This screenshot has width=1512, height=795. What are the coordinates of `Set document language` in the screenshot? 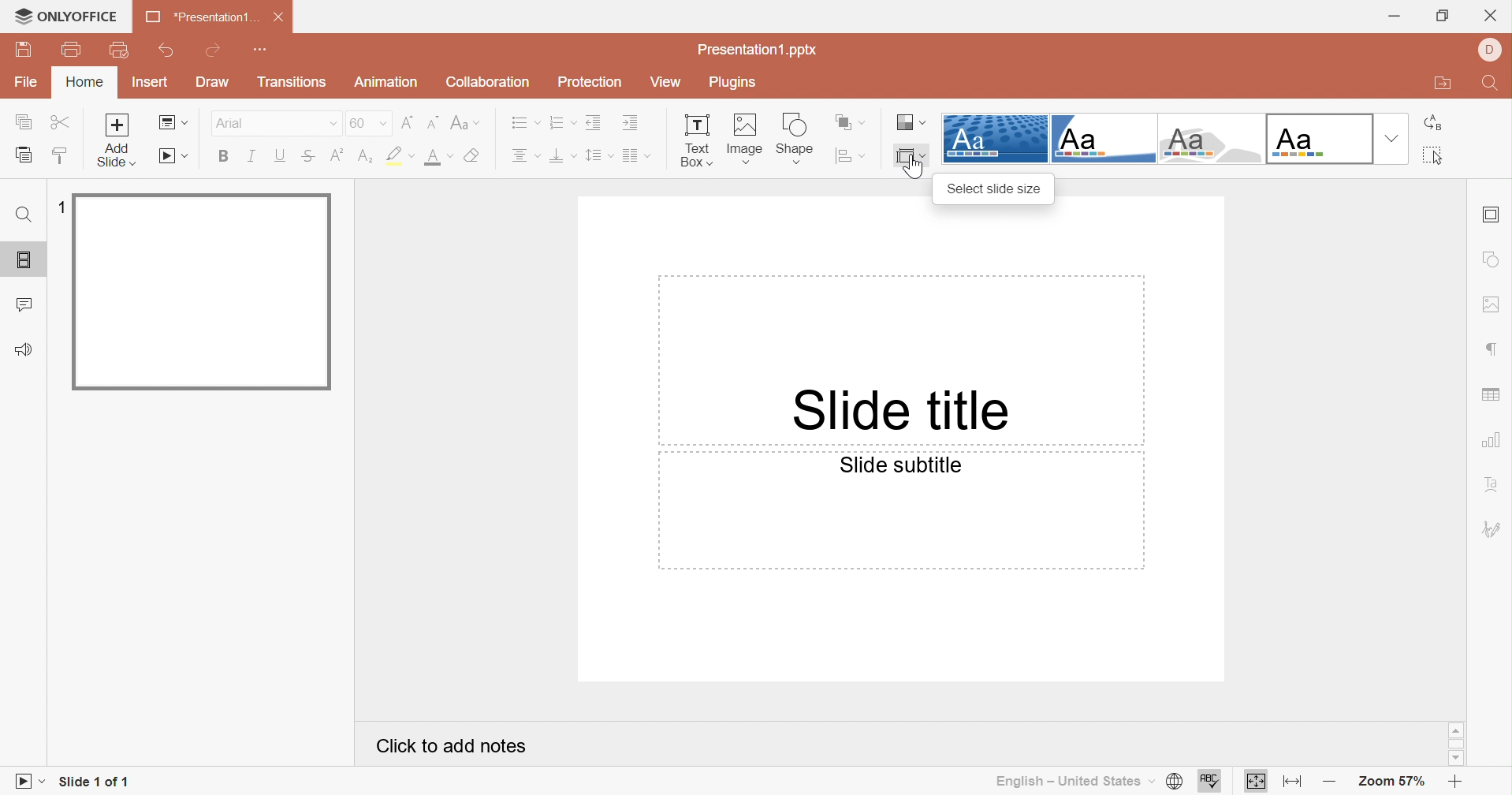 It's located at (1177, 781).